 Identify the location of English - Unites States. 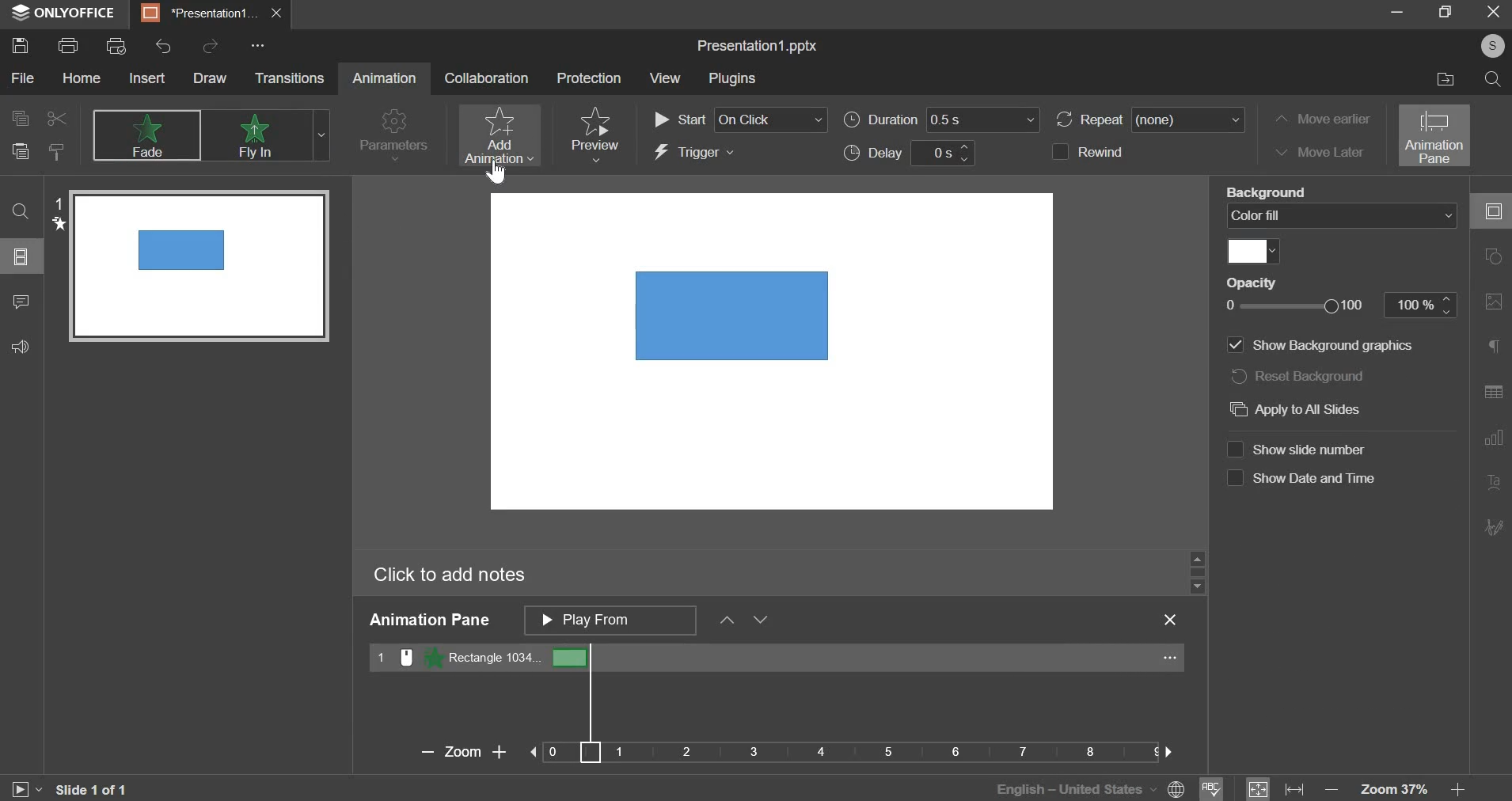
(1073, 790).